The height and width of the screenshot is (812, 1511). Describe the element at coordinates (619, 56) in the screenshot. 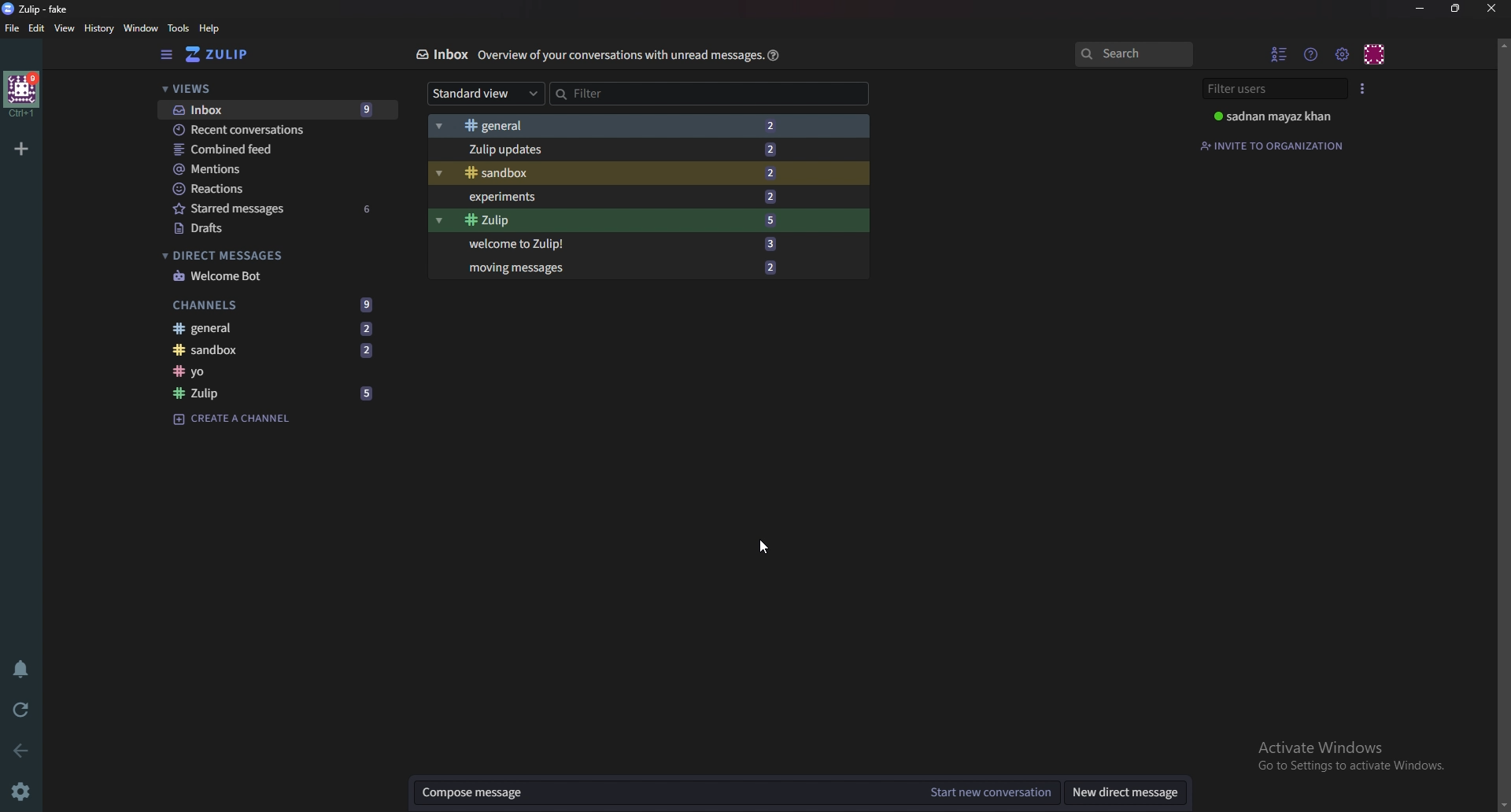

I see `Overview of your conversation with unread messages.` at that location.